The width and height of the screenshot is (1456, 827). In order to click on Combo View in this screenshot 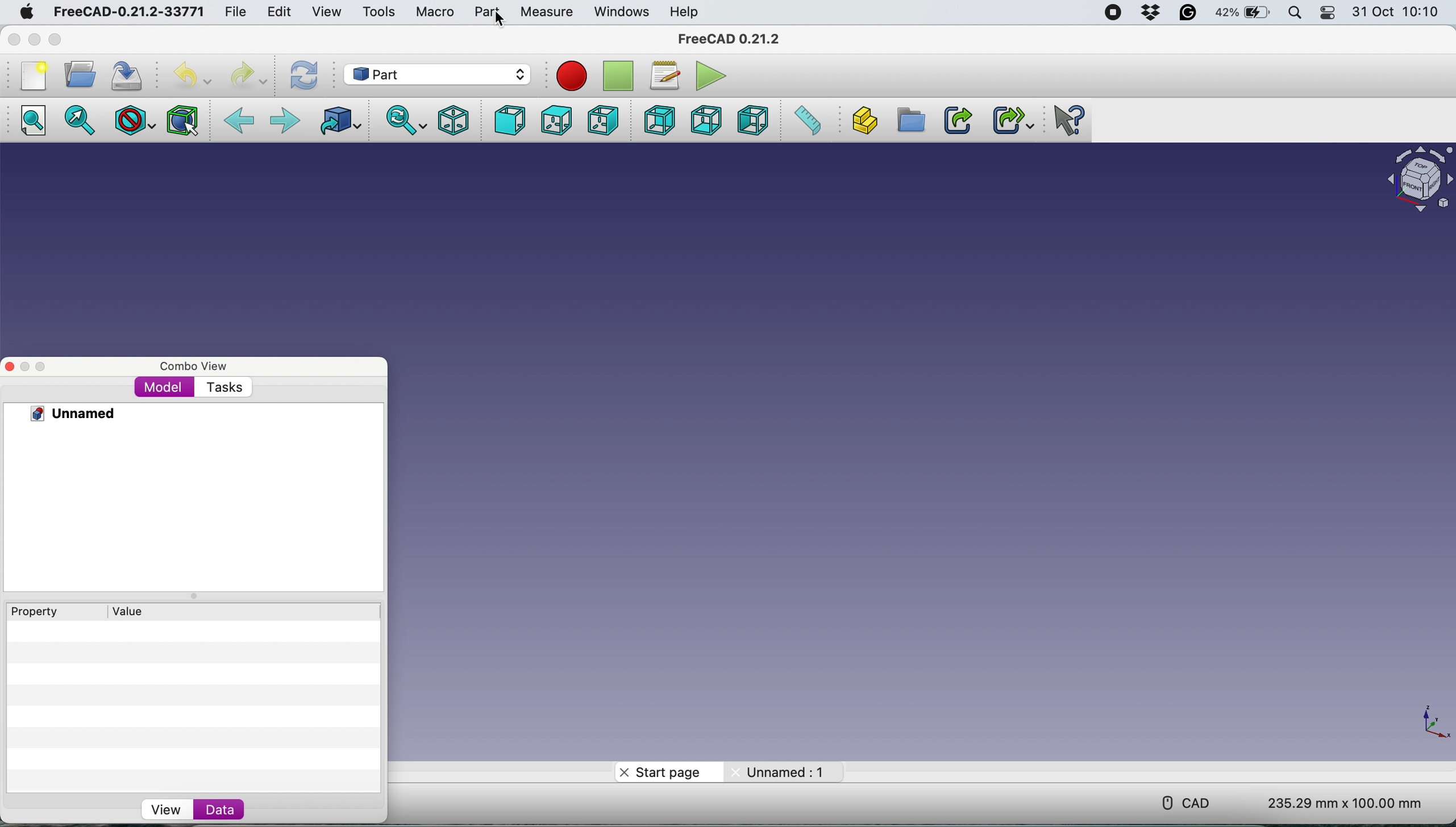, I will do `click(195, 367)`.